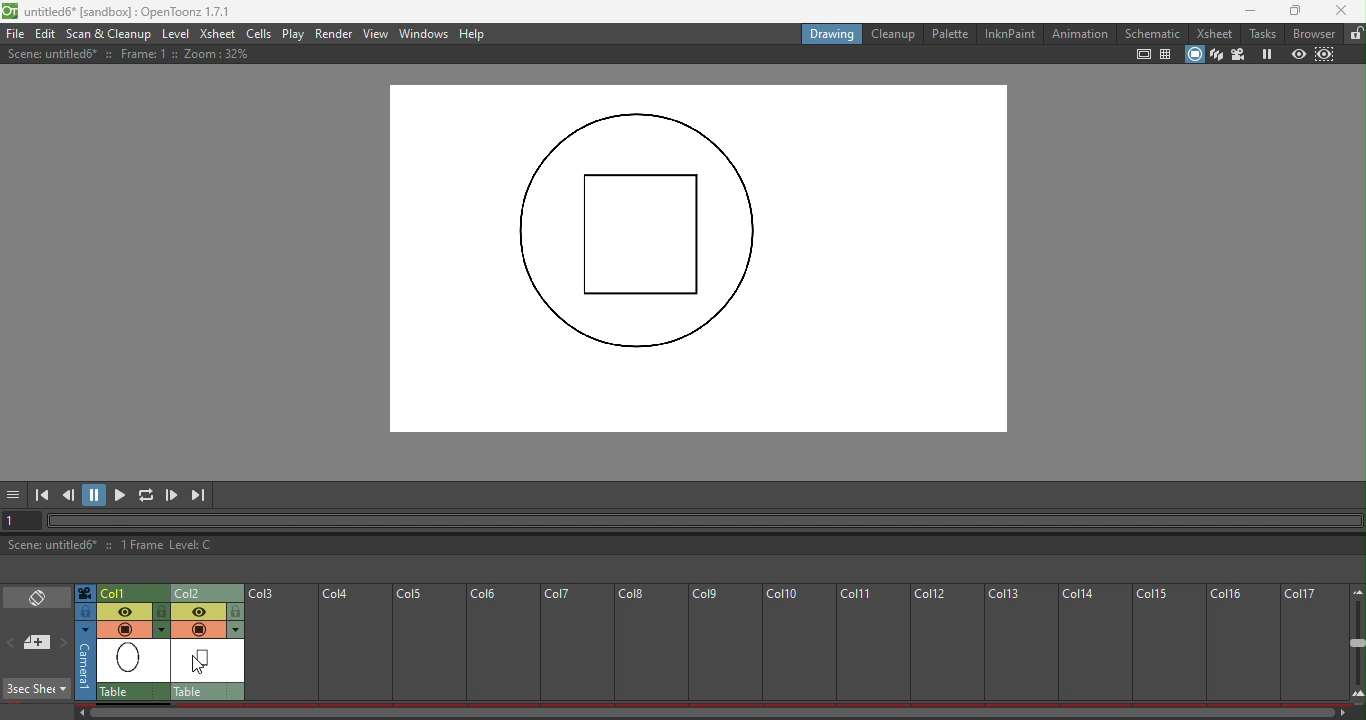 This screenshot has height=720, width=1366. What do you see at coordinates (1342, 11) in the screenshot?
I see `Close` at bounding box center [1342, 11].